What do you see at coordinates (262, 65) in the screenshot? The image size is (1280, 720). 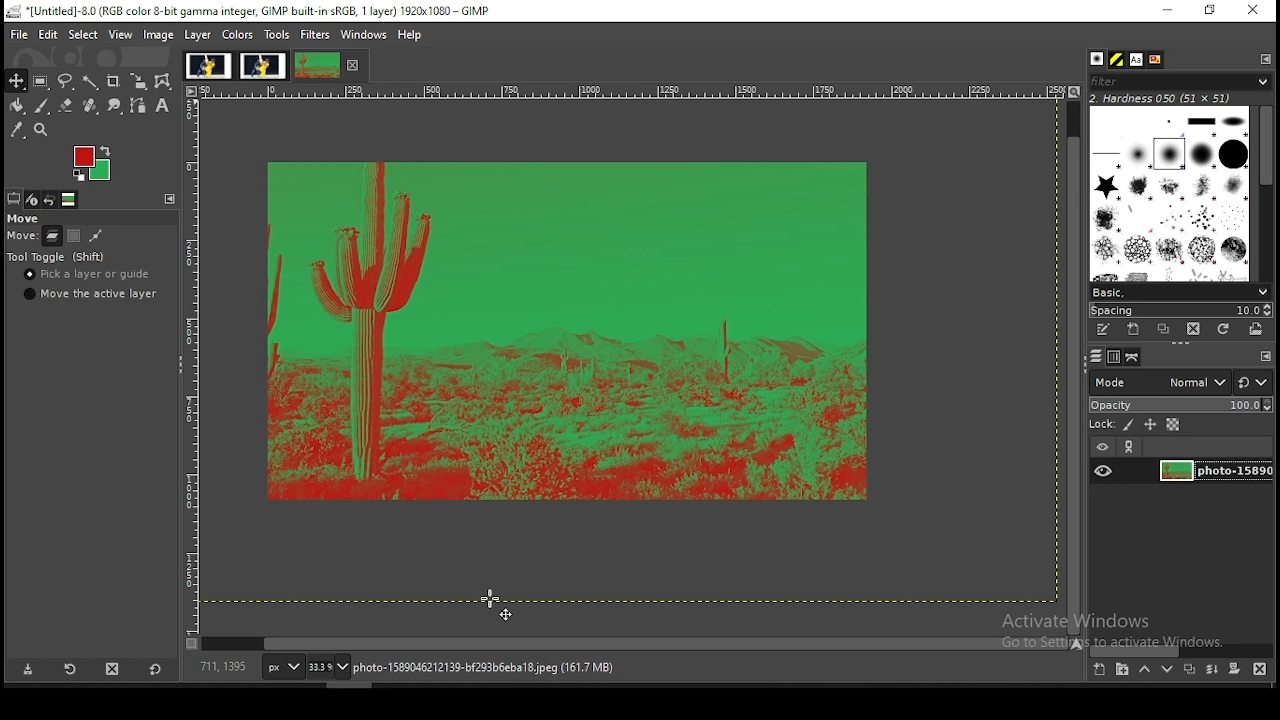 I see `image` at bounding box center [262, 65].